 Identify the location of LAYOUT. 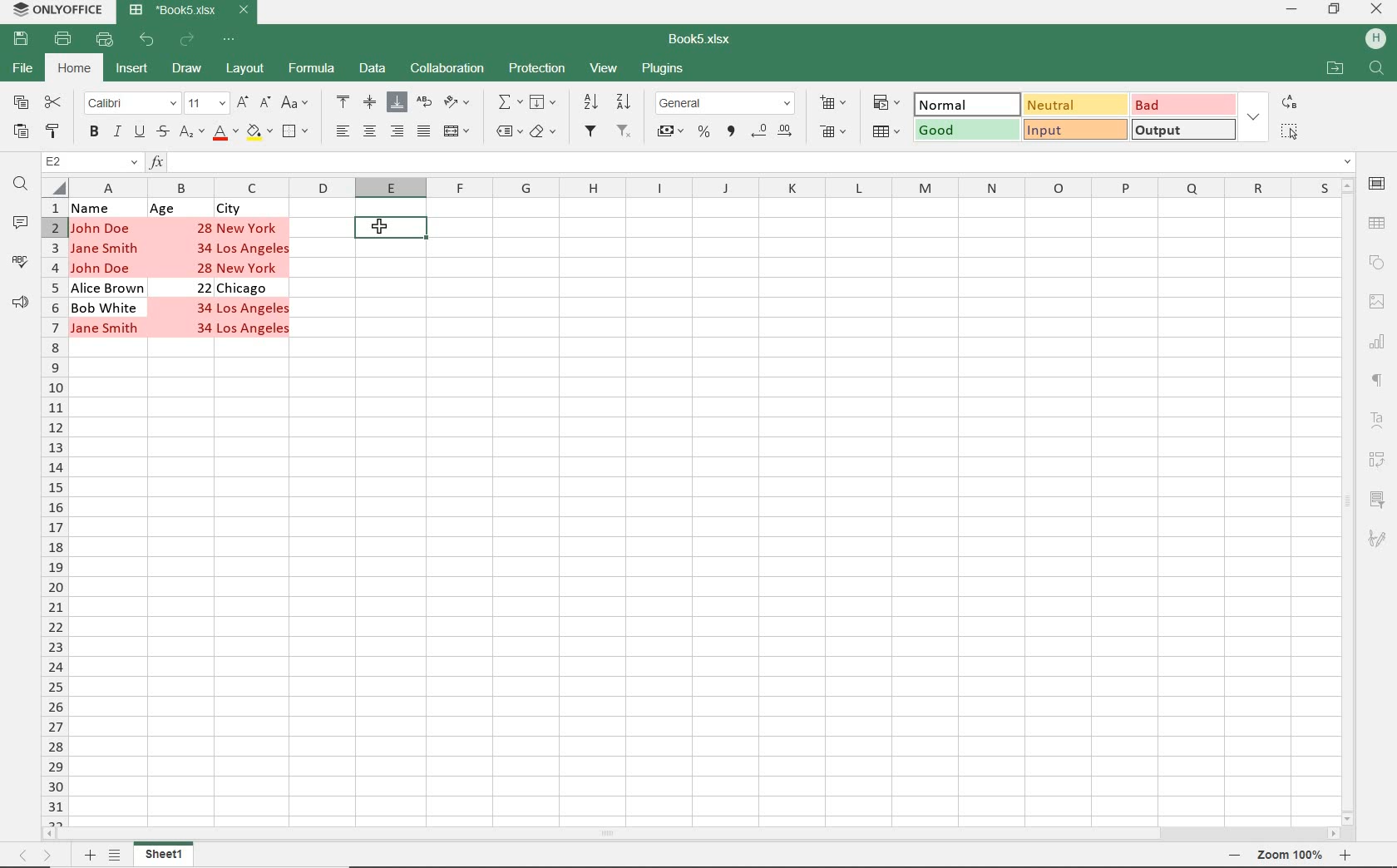
(245, 70).